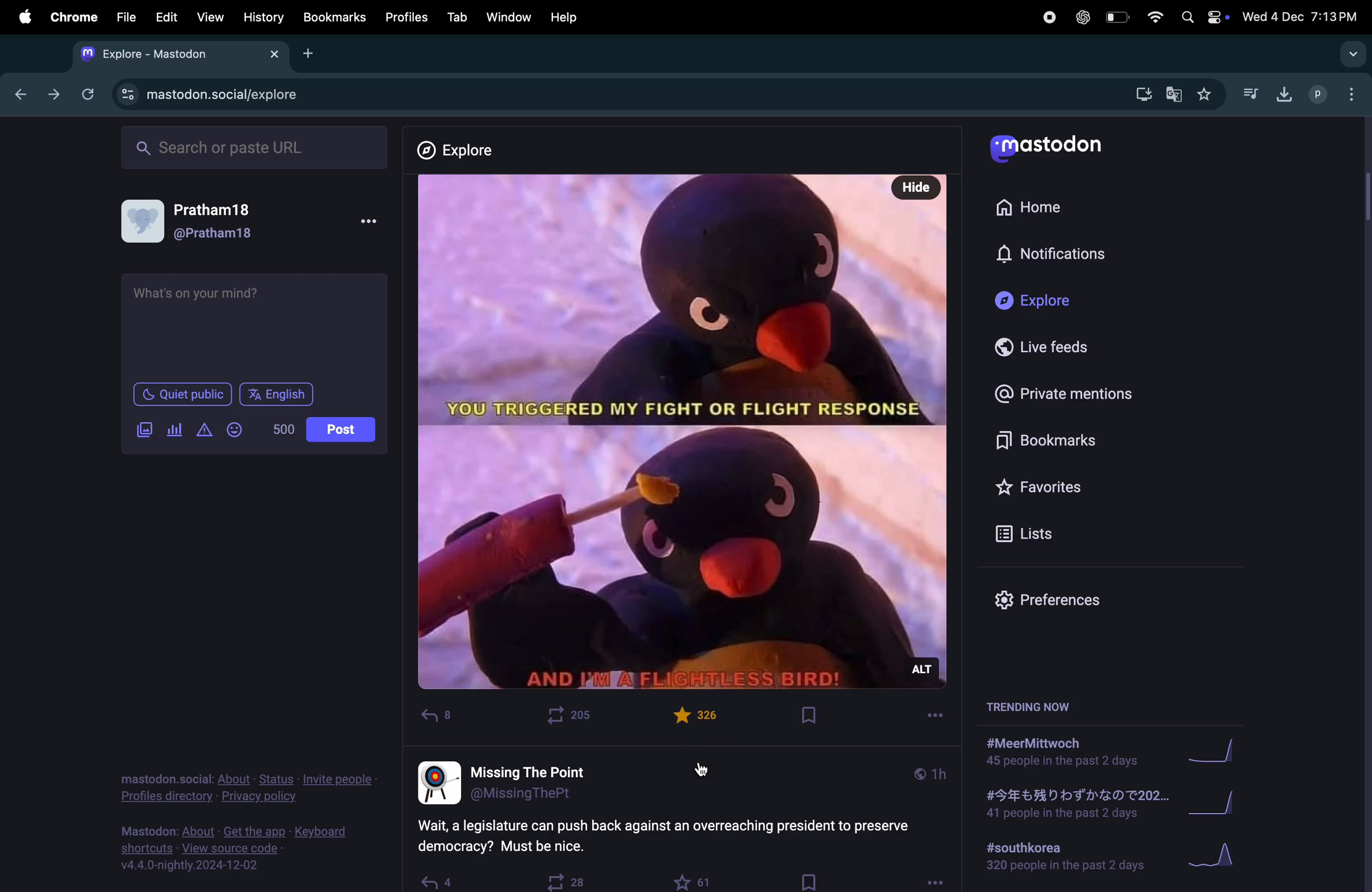  Describe the element at coordinates (1154, 16) in the screenshot. I see `wifi` at that location.